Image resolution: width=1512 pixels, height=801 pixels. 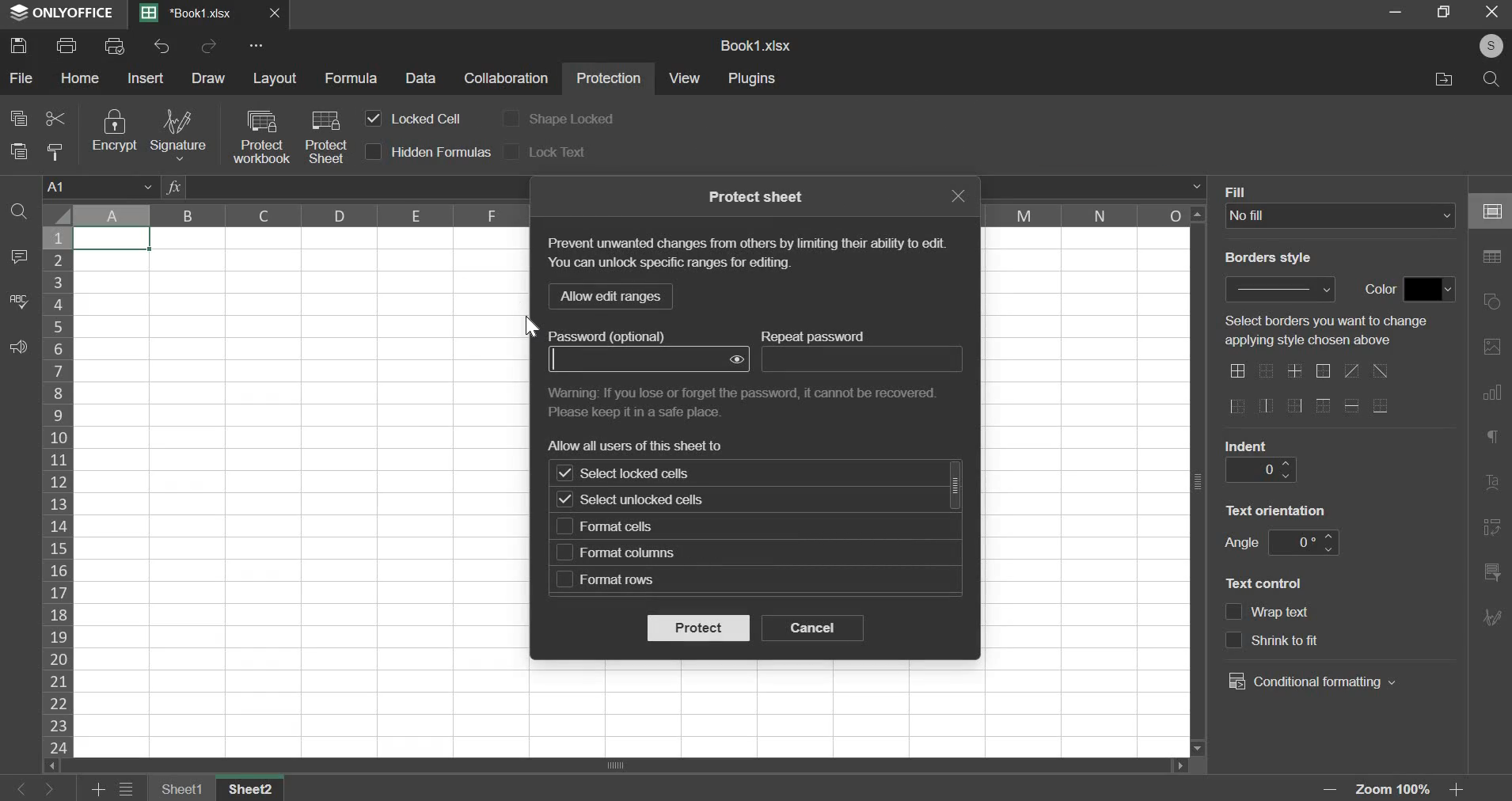 I want to click on fill type, so click(x=1341, y=216).